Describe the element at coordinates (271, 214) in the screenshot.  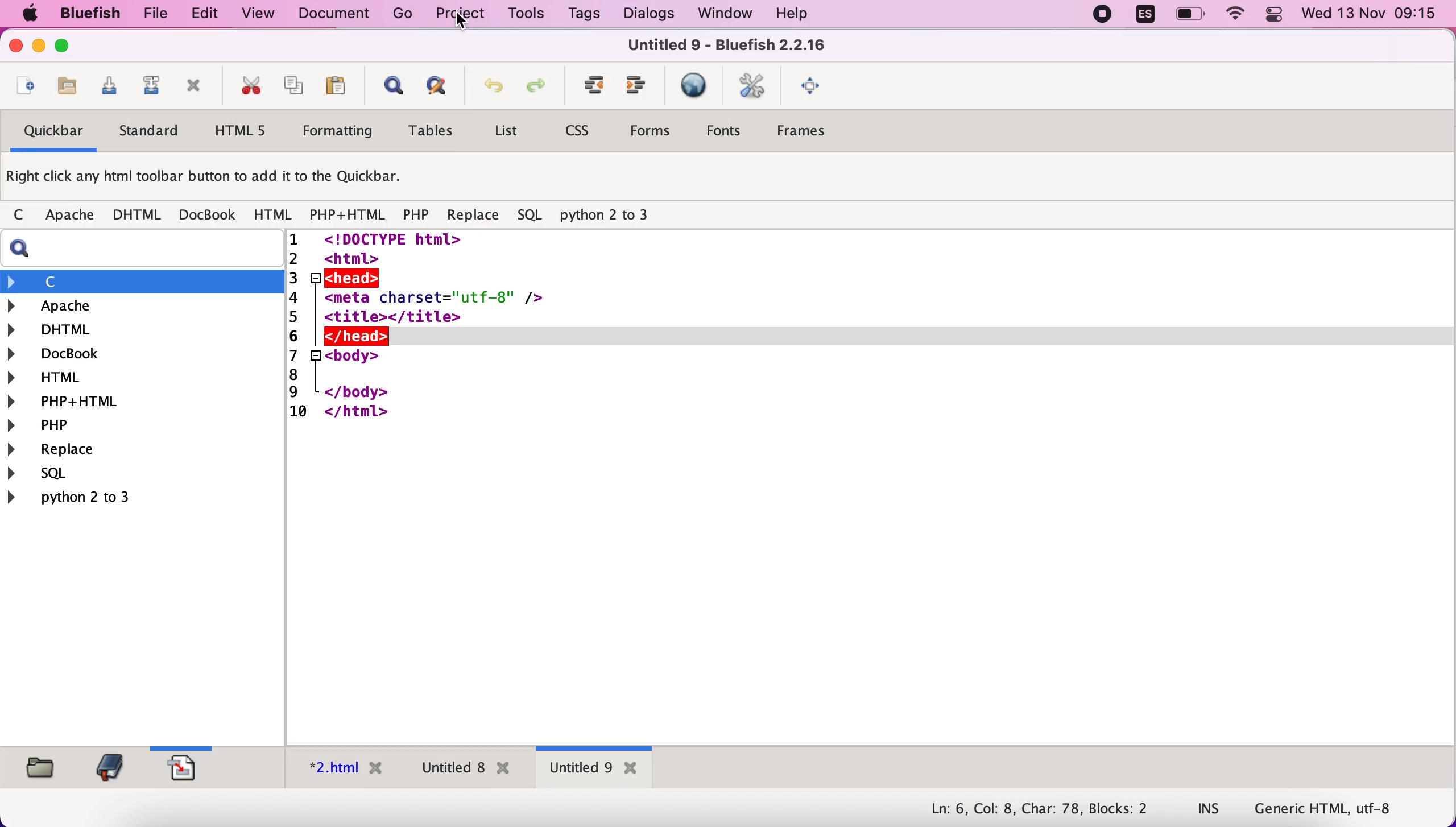
I see `html` at that location.